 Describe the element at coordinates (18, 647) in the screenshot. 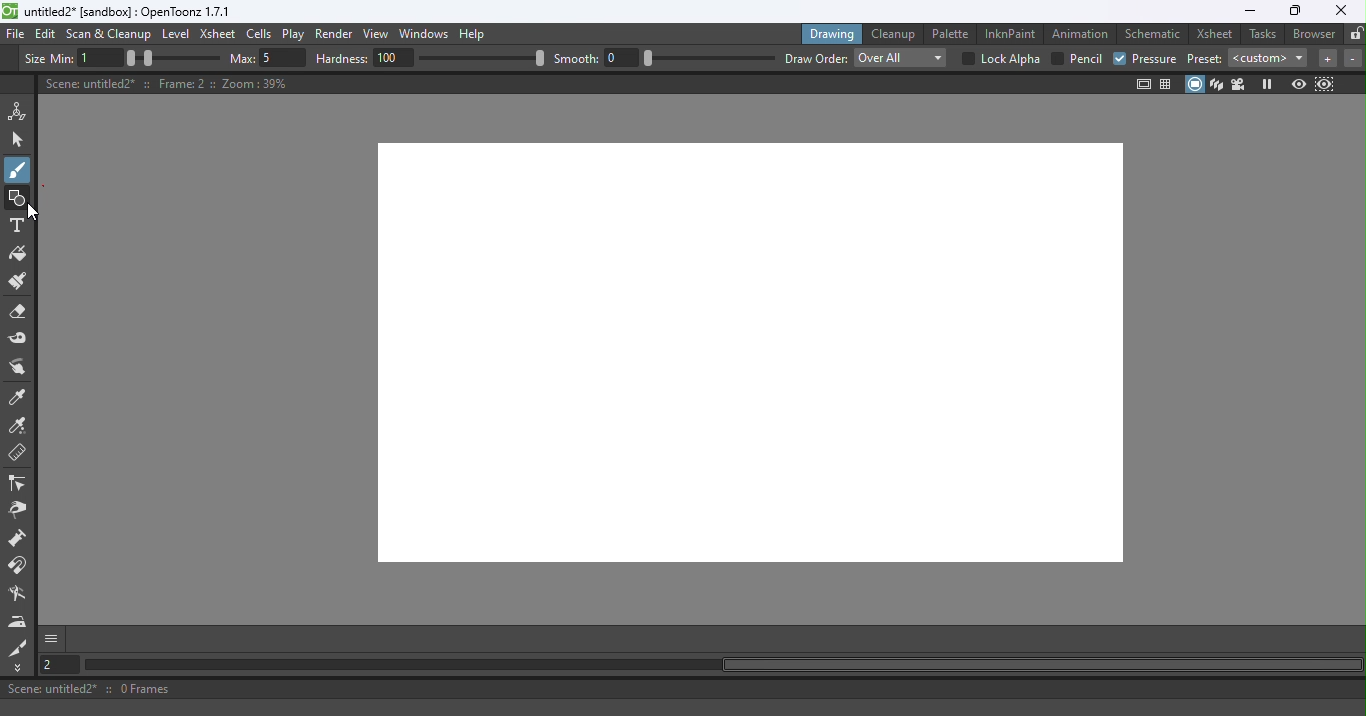

I see `Cutter tool` at that location.